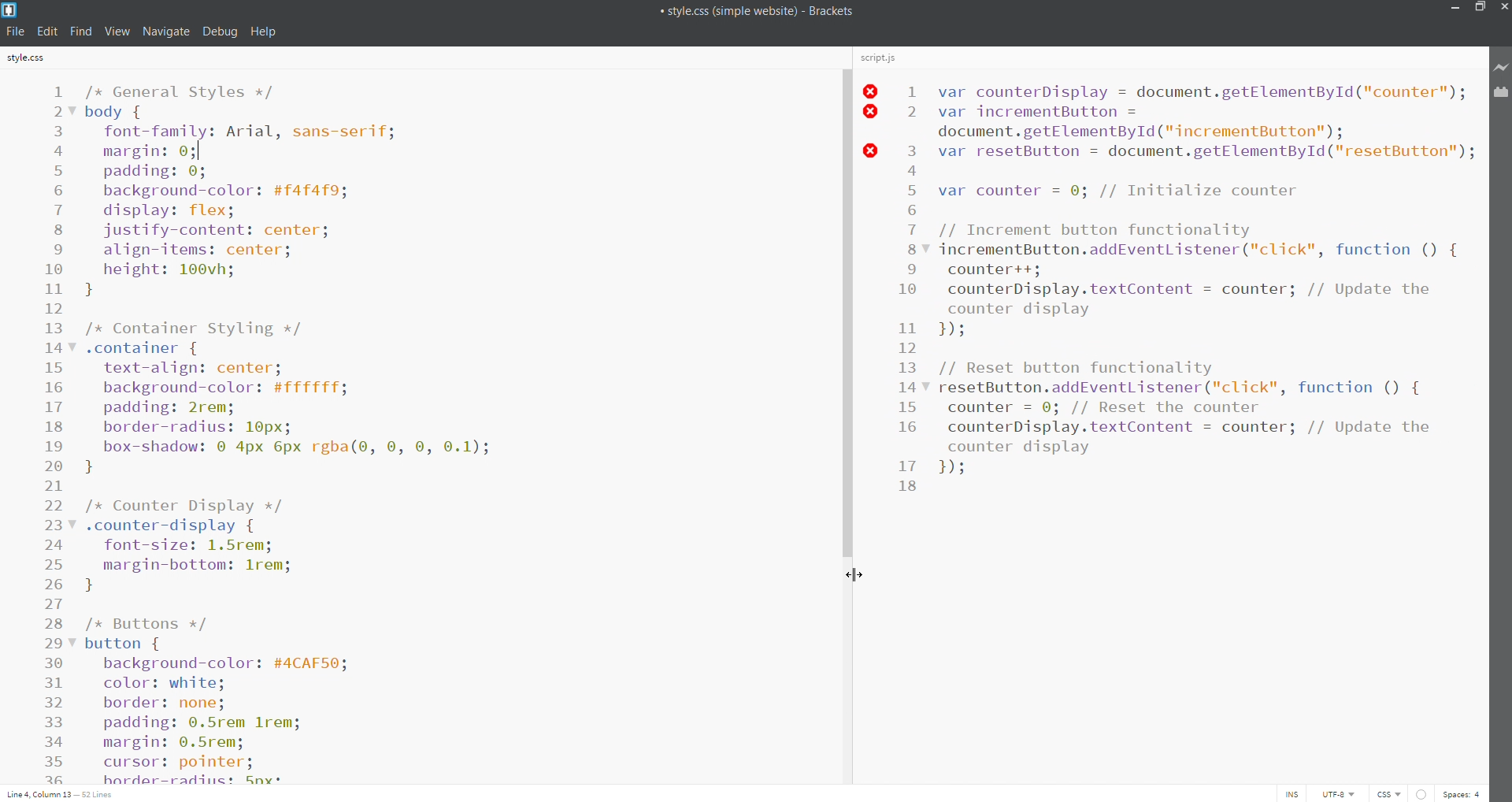 This screenshot has height=802, width=1512. I want to click on script.js, so click(886, 58).